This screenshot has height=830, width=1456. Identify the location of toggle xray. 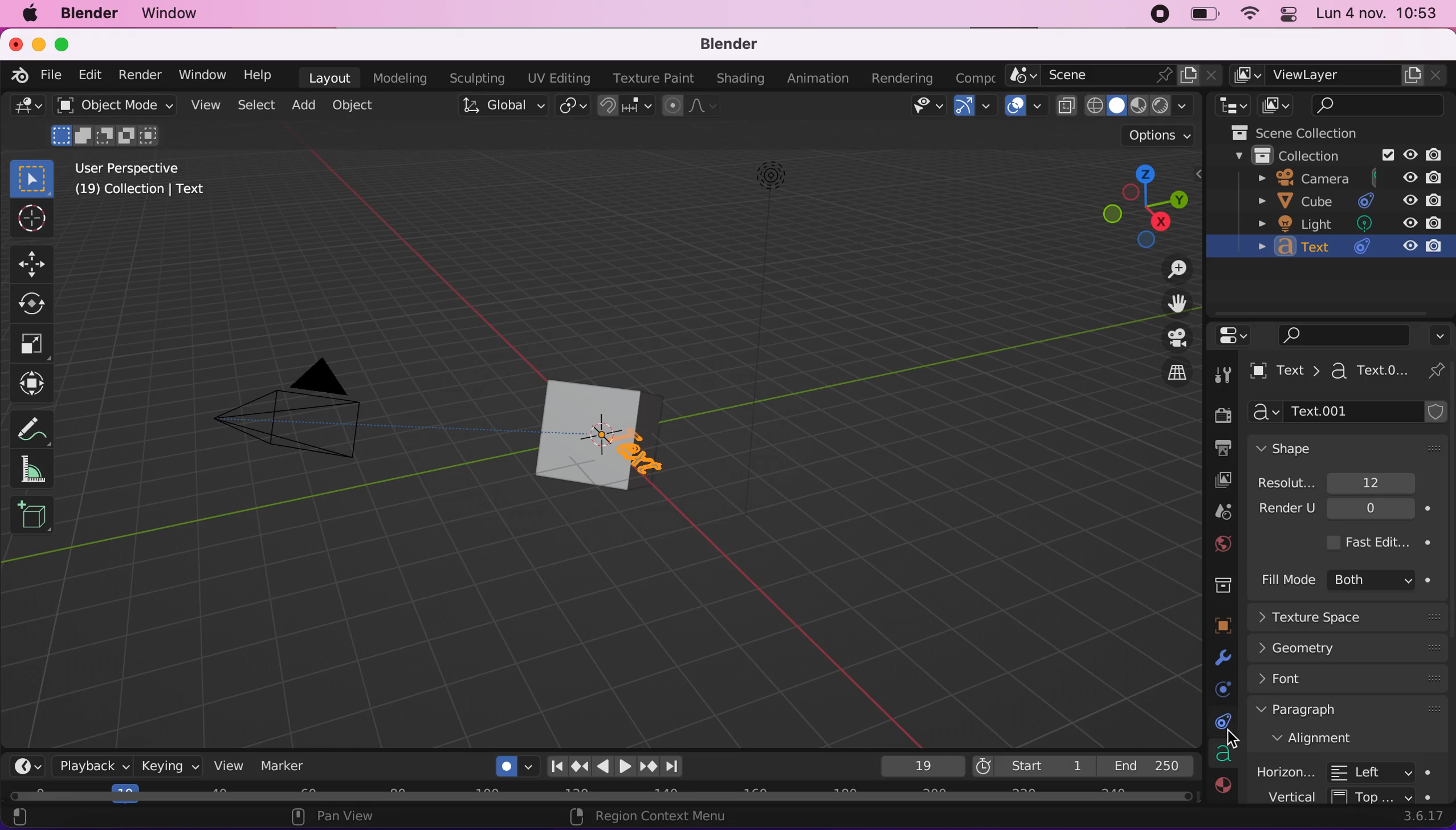
(1066, 112).